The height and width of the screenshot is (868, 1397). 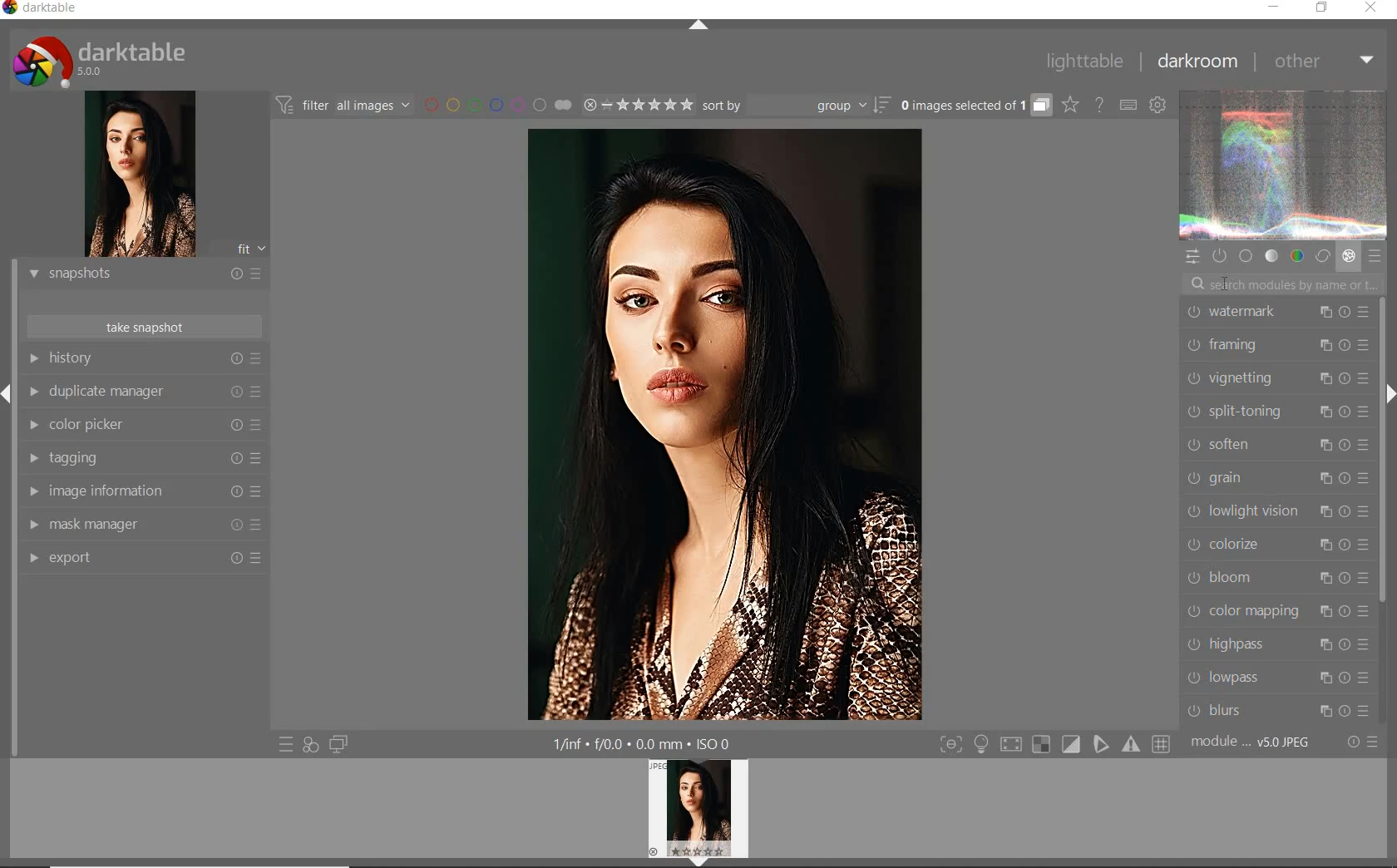 I want to click on system logo, so click(x=102, y=61).